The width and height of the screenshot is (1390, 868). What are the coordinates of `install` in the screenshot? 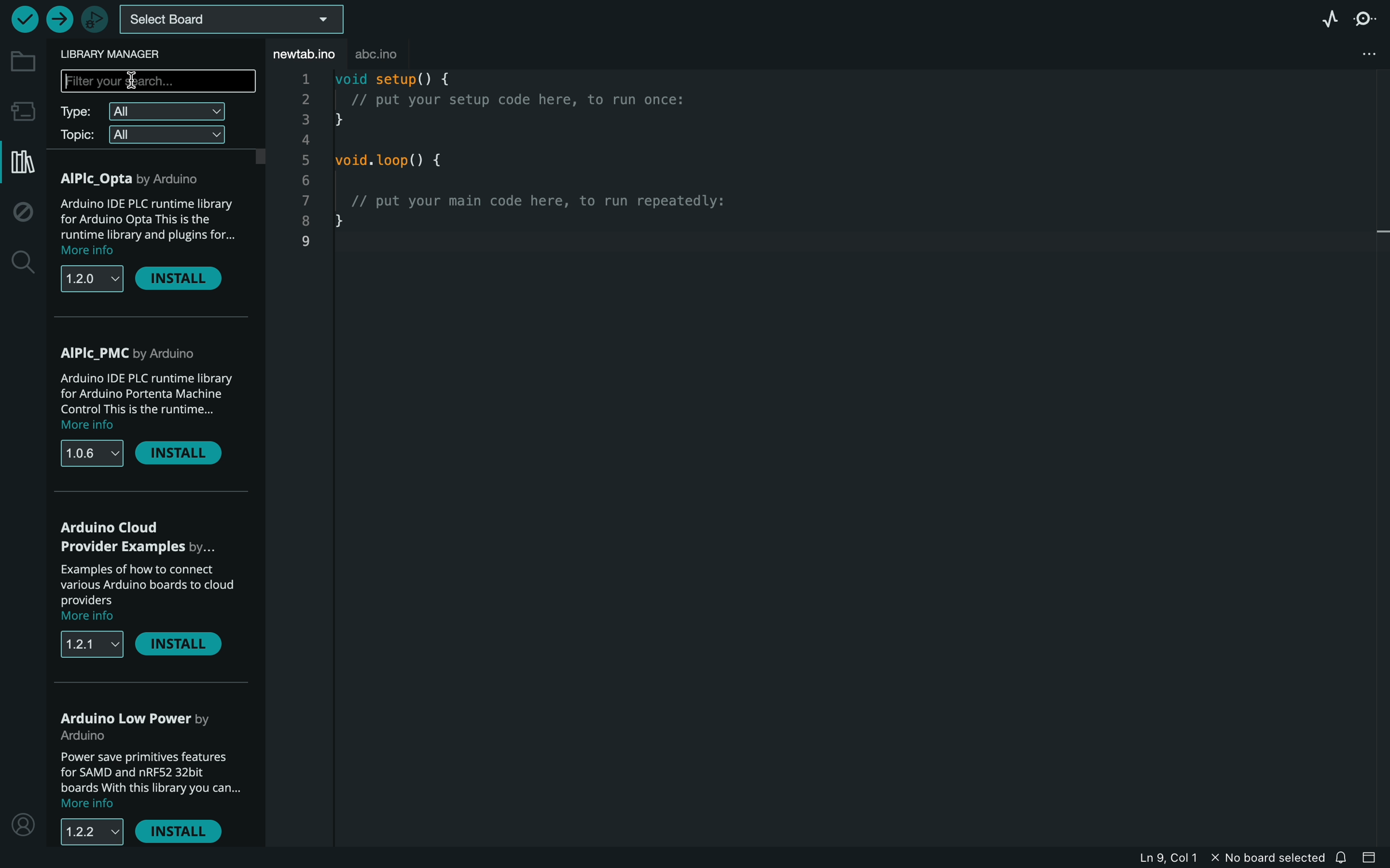 It's located at (182, 279).